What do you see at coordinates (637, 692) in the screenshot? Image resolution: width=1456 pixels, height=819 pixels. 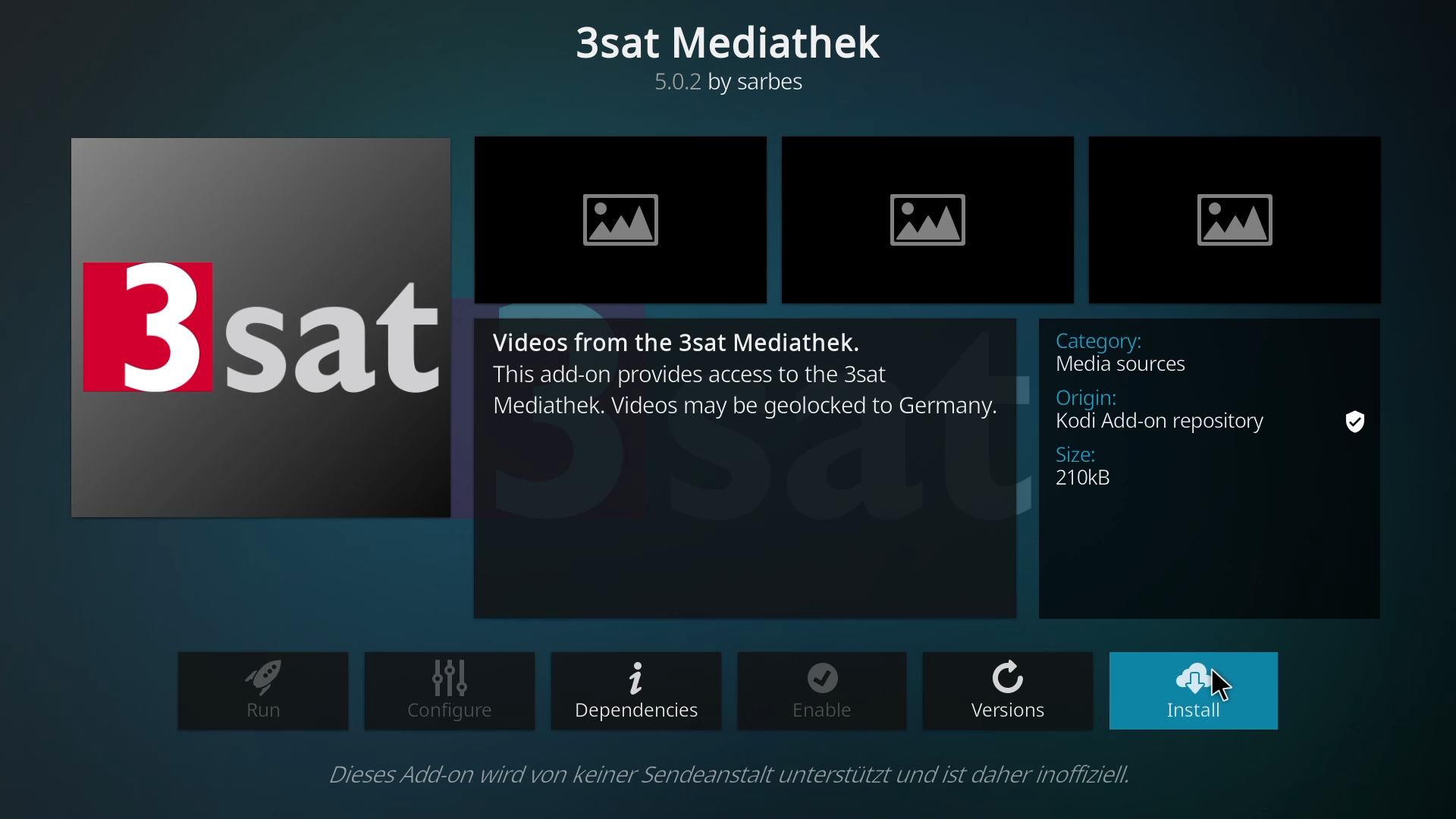 I see `dependencies` at bounding box center [637, 692].